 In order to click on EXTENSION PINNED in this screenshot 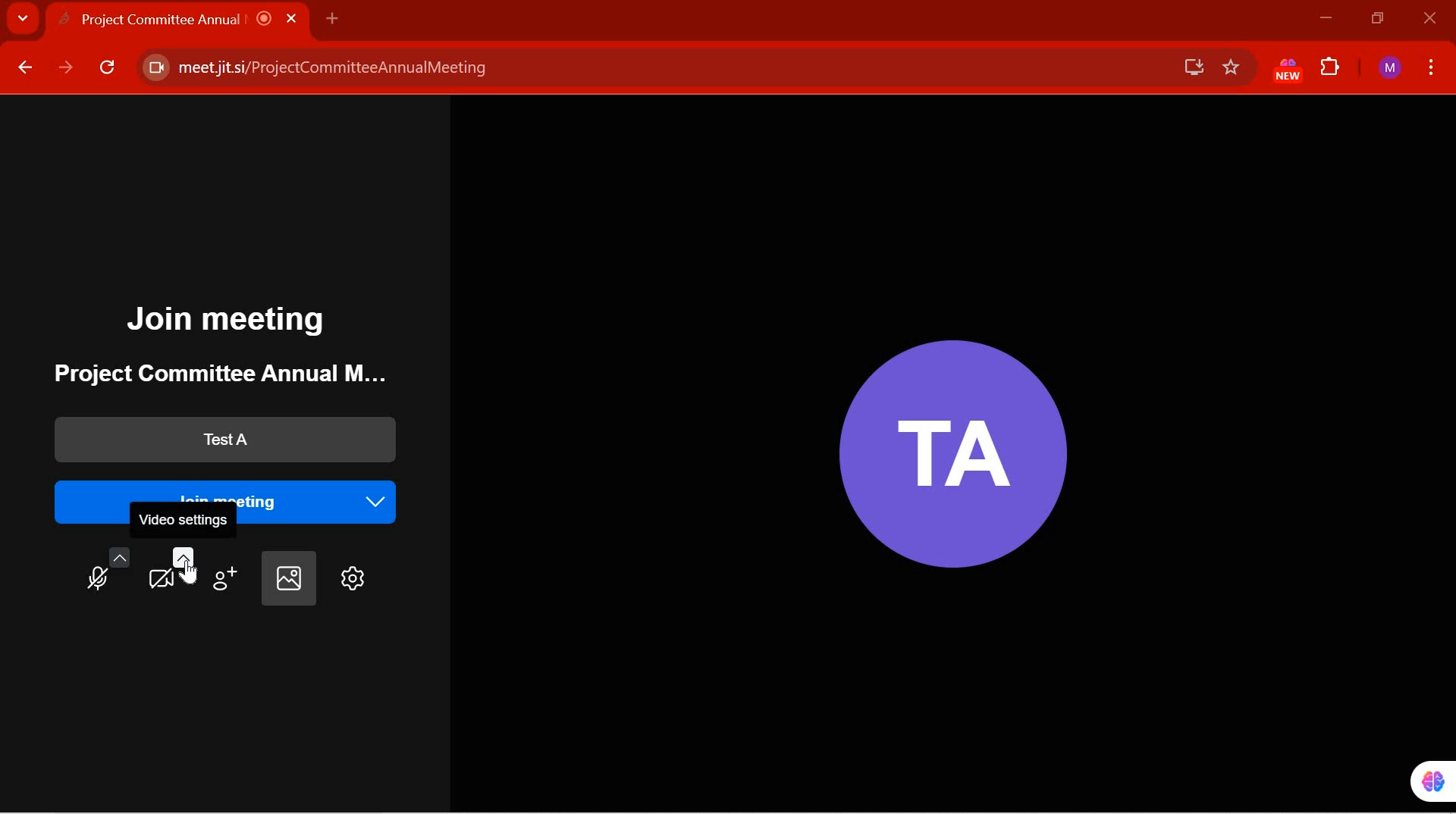, I will do `click(1283, 70)`.